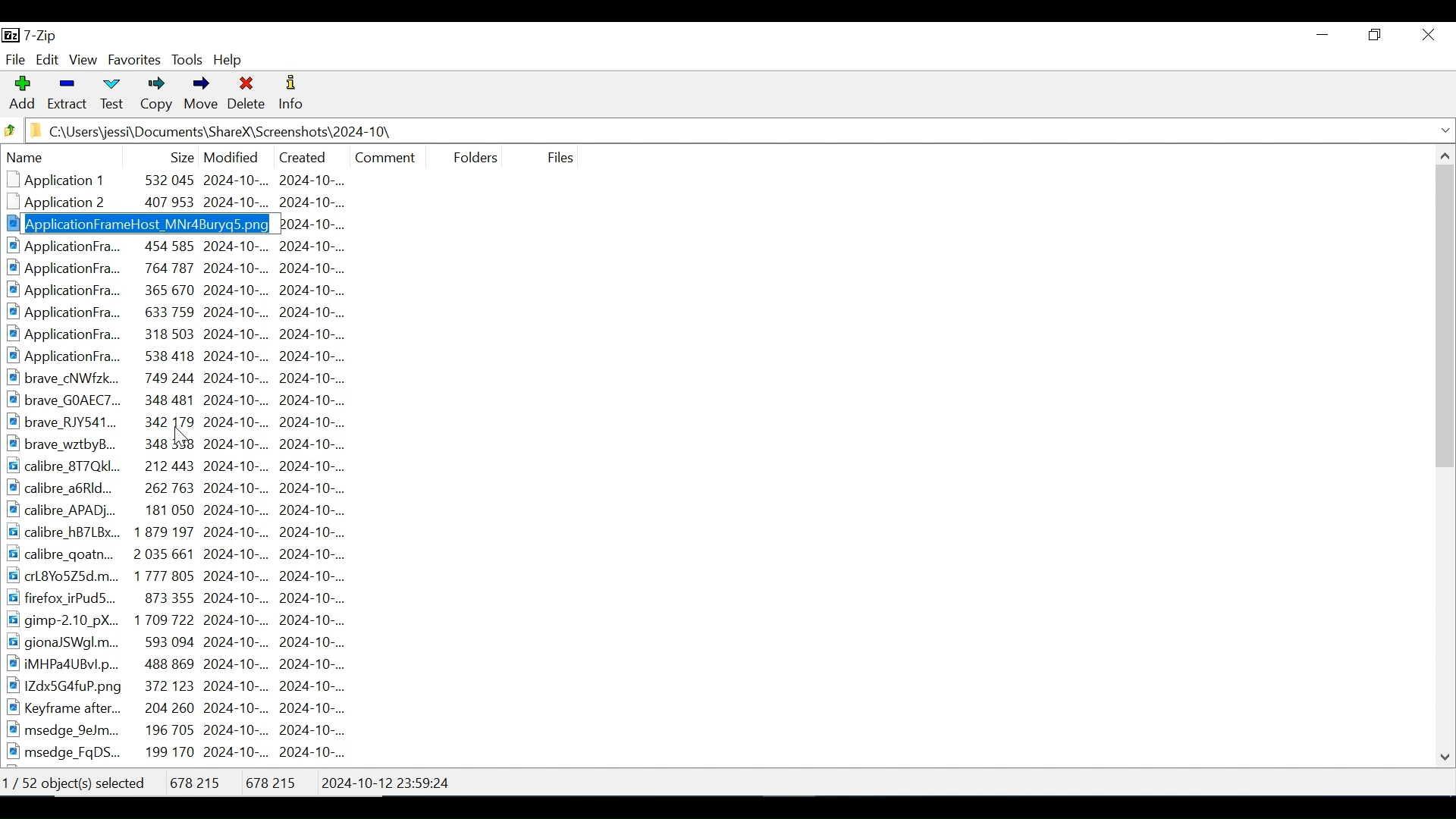  What do you see at coordinates (193, 663) in the screenshot?
I see ` iMHPa4UBvl.p... 488 869 2024-10-.. 2024-10-...` at bounding box center [193, 663].